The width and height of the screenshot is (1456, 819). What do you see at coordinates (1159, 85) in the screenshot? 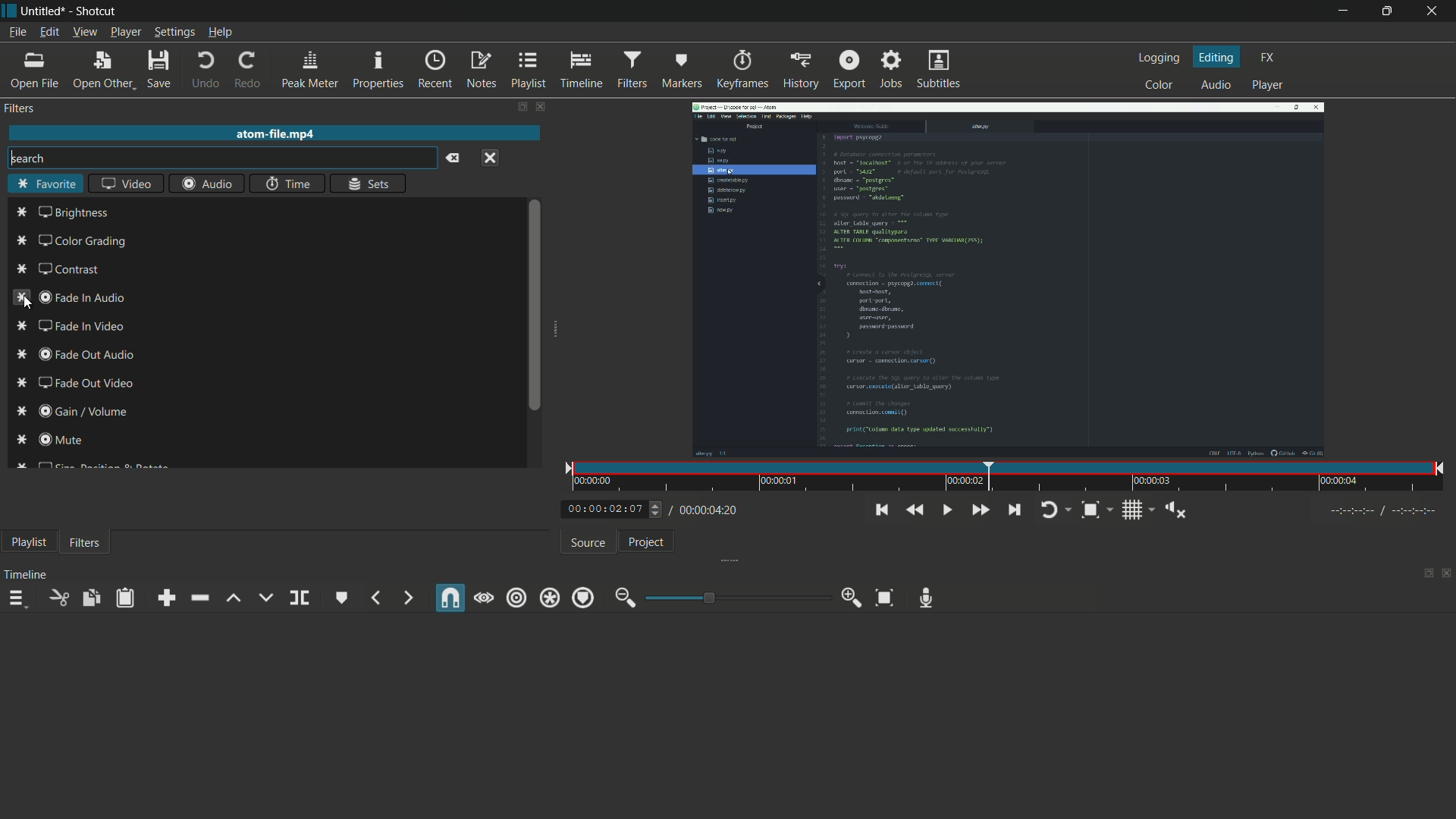
I see `color` at bounding box center [1159, 85].